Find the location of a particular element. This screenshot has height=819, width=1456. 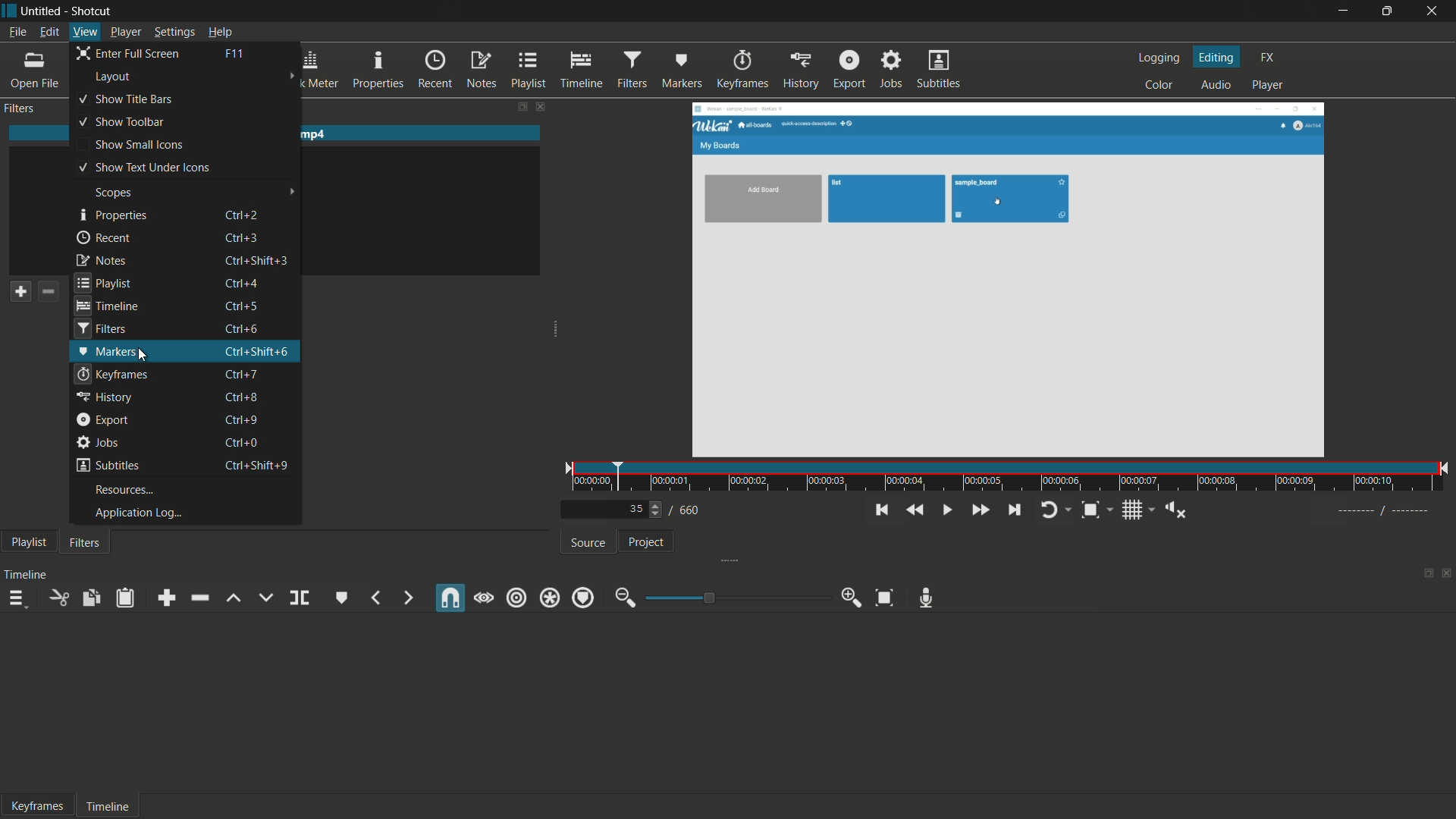

markers is located at coordinates (101, 352).